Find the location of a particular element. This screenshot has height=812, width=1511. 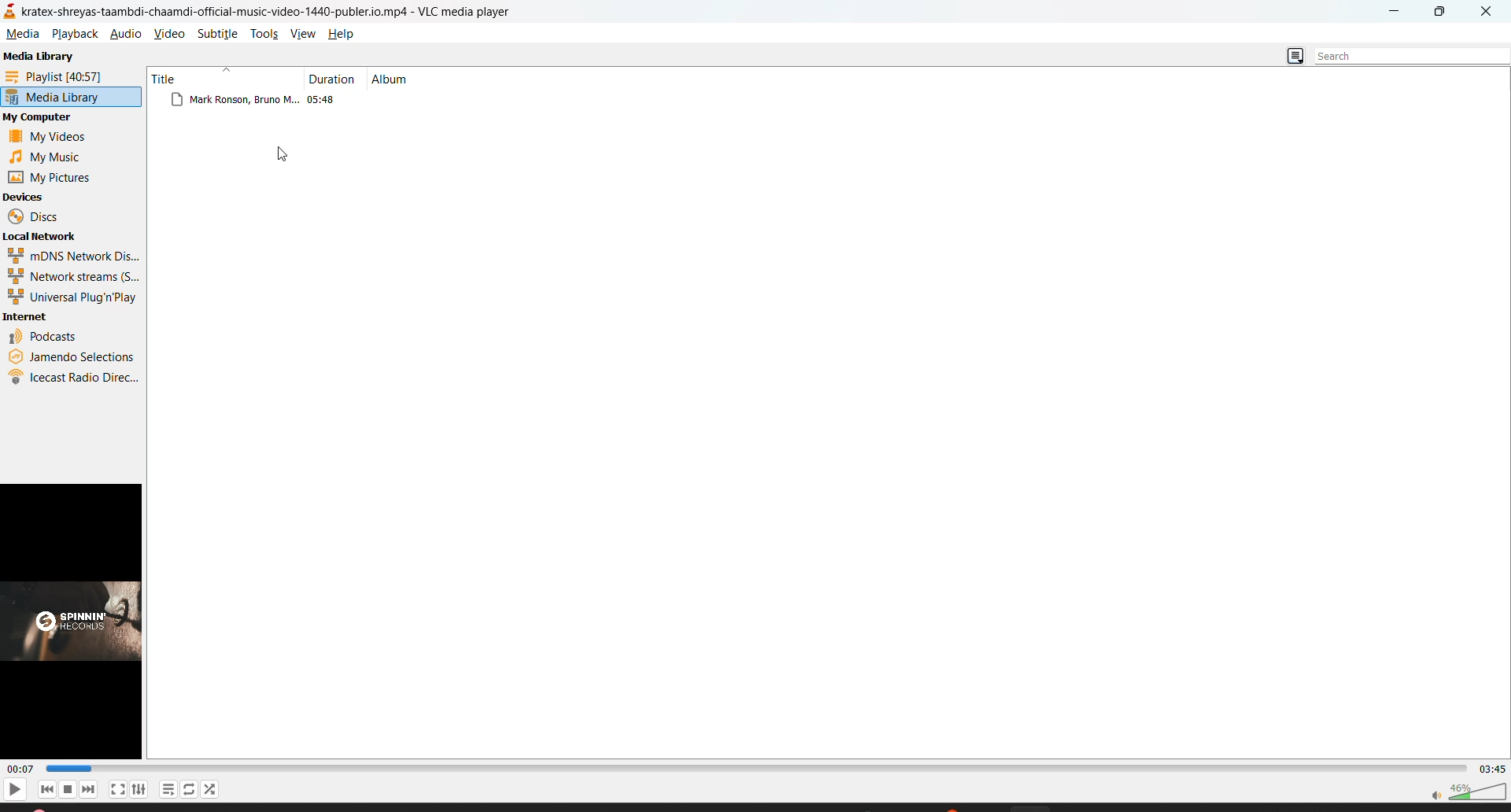

volume is located at coordinates (1468, 792).